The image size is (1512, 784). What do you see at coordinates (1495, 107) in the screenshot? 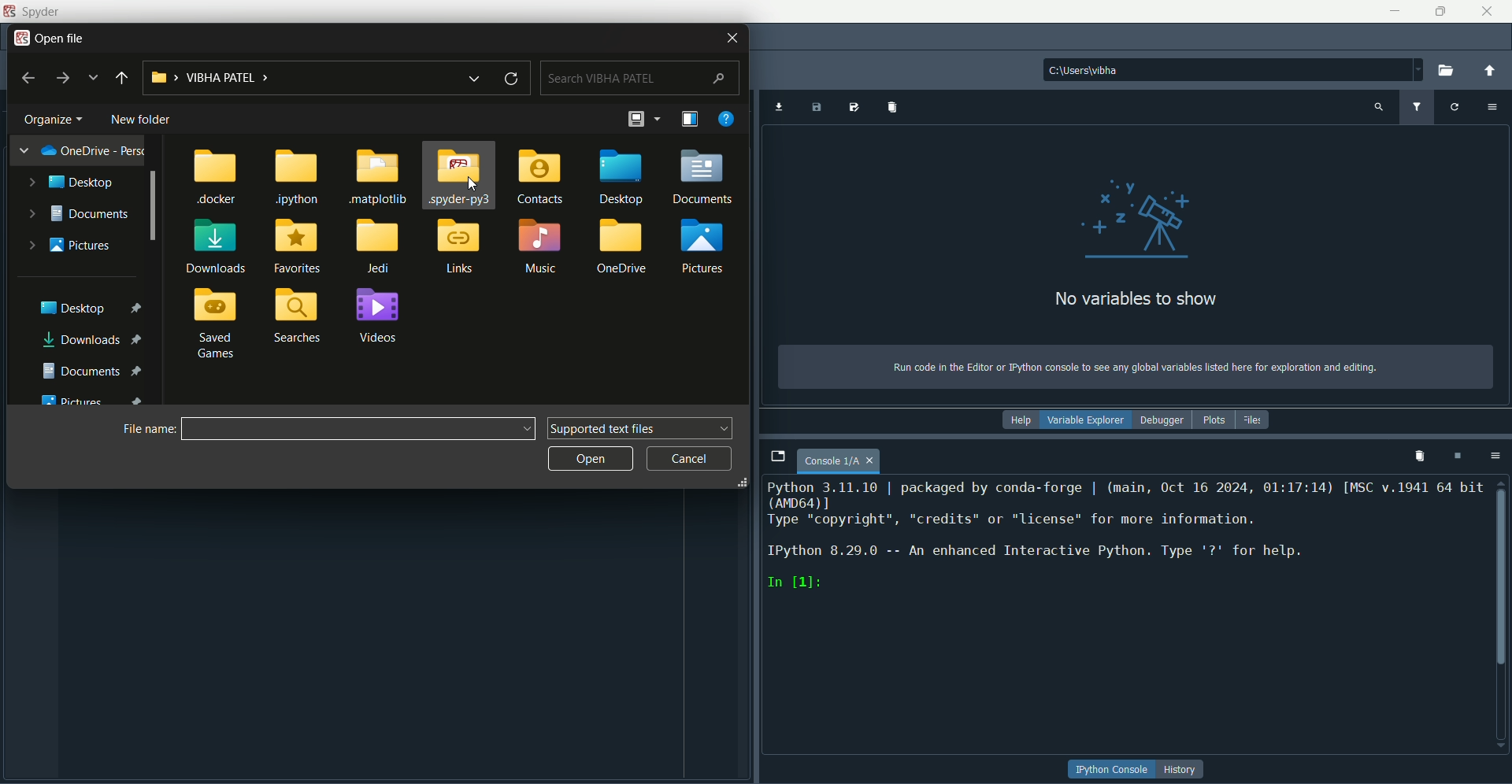
I see `options` at bounding box center [1495, 107].